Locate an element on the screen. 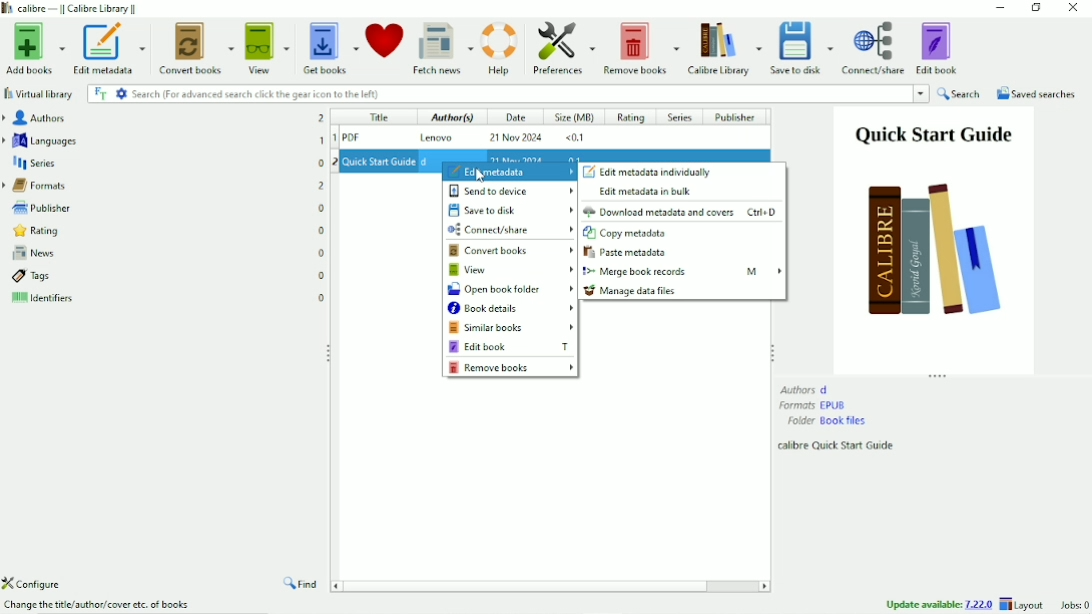  Search the full text of all books in library is located at coordinates (100, 93).